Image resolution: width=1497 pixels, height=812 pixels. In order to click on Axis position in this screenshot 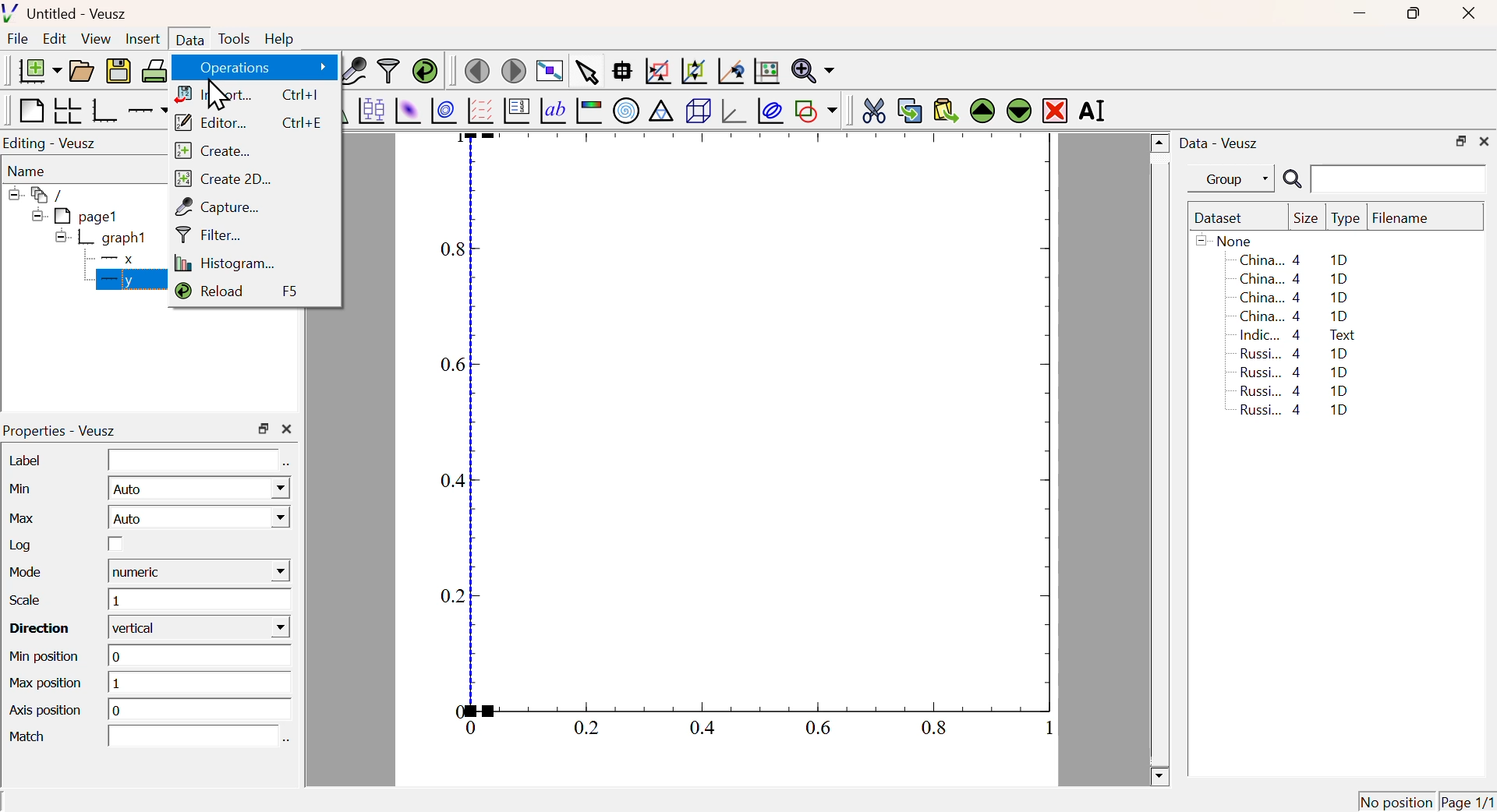, I will do `click(45, 712)`.